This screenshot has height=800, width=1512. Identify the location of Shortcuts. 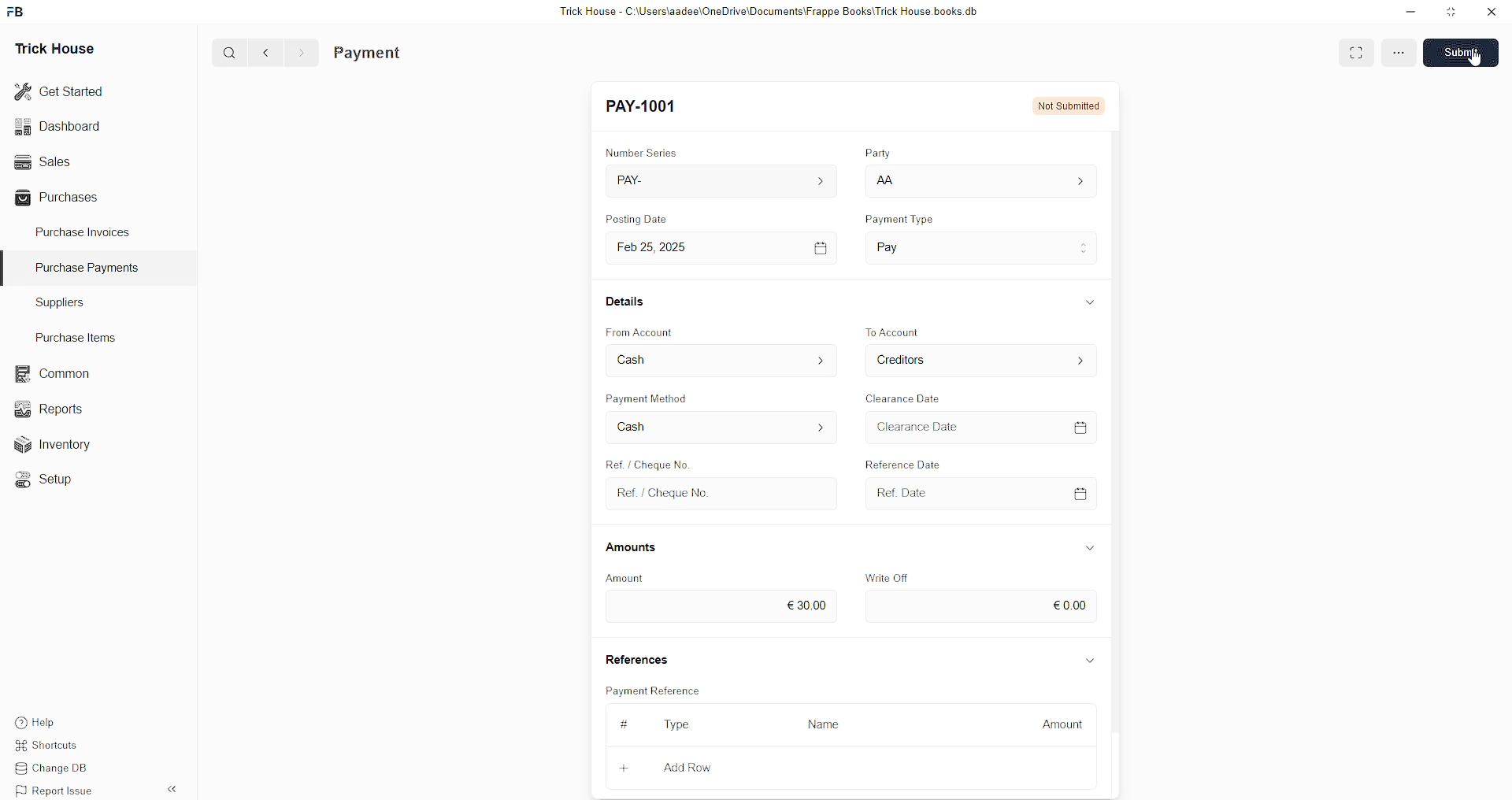
(56, 747).